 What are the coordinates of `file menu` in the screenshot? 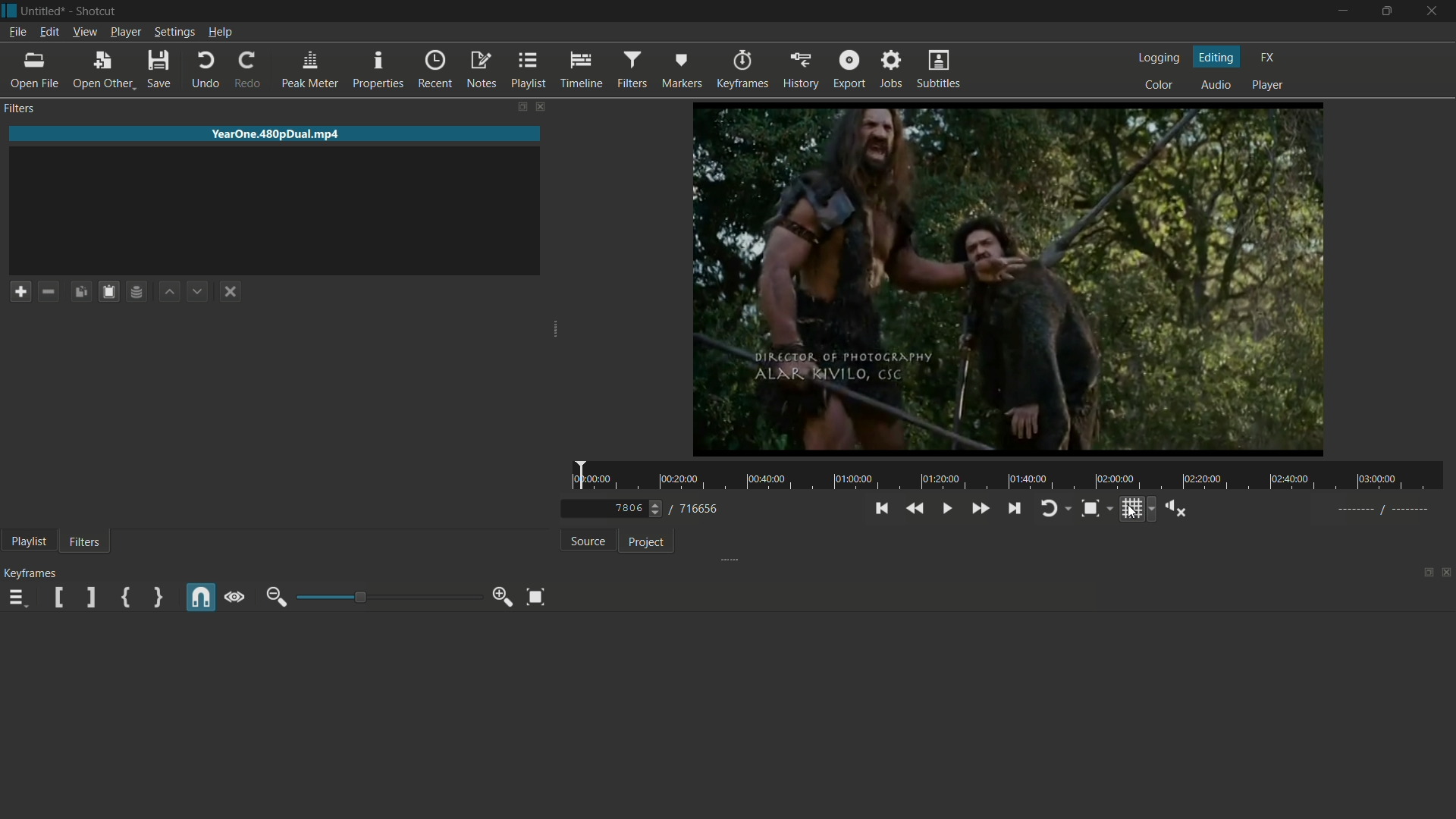 It's located at (17, 33).